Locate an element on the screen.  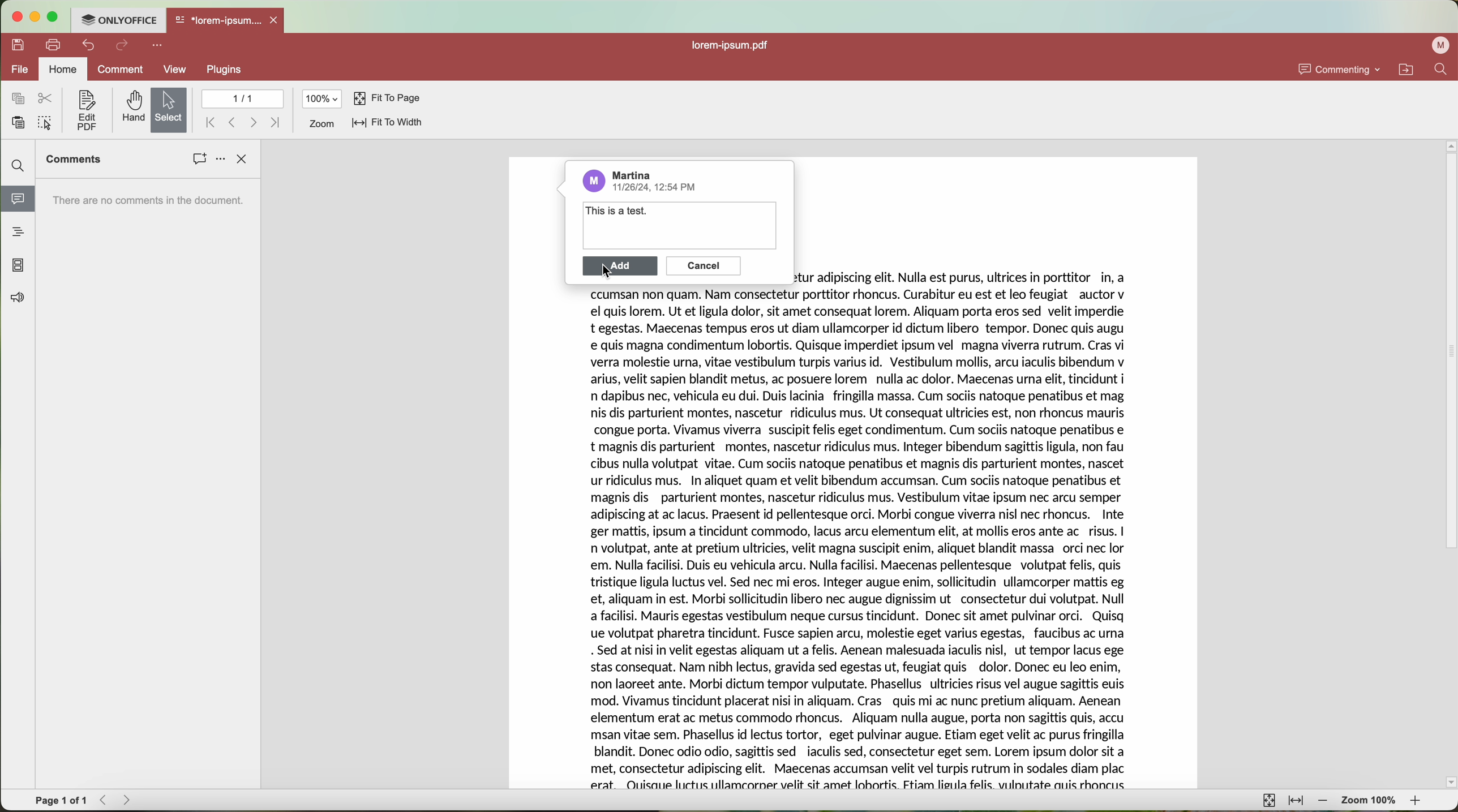
zoom 100% is located at coordinates (1370, 801).